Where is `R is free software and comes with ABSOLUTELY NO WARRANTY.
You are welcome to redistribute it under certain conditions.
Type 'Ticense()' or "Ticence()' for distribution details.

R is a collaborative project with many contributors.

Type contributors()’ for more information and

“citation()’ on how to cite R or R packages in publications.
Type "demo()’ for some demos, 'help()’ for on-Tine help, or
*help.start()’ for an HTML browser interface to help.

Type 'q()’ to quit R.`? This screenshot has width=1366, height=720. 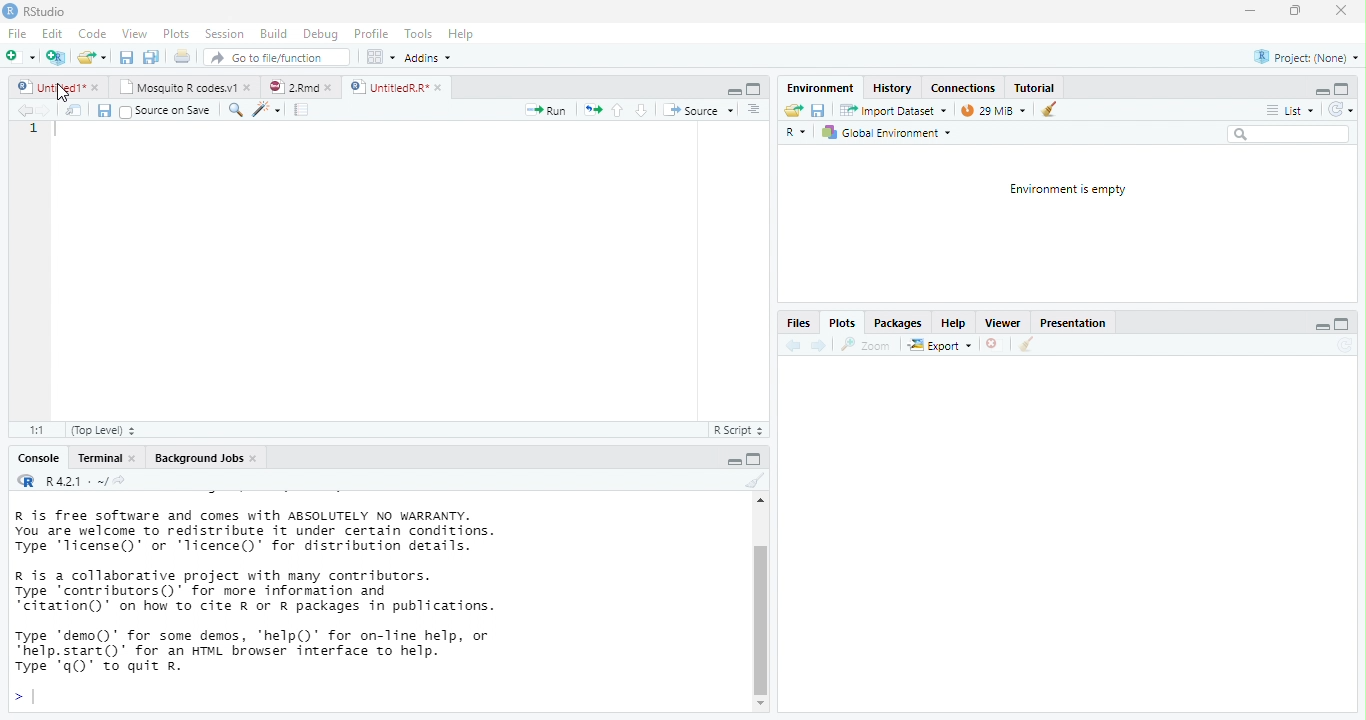 R is free software and comes with ABSOLUTELY NO WARRANTY.
You are welcome to redistribute it under certain conditions.
Type 'Ticense()' or "Ticence()' for distribution details.

R is a collaborative project with many contributors.

Type contributors()’ for more information and

“citation()’ on how to cite R or R packages in publications.
Type "demo()’ for some demos, 'help()’ for on-Tine help, or
*help.start()’ for an HTML browser interface to help.

Type 'q()’ to quit R. is located at coordinates (340, 591).